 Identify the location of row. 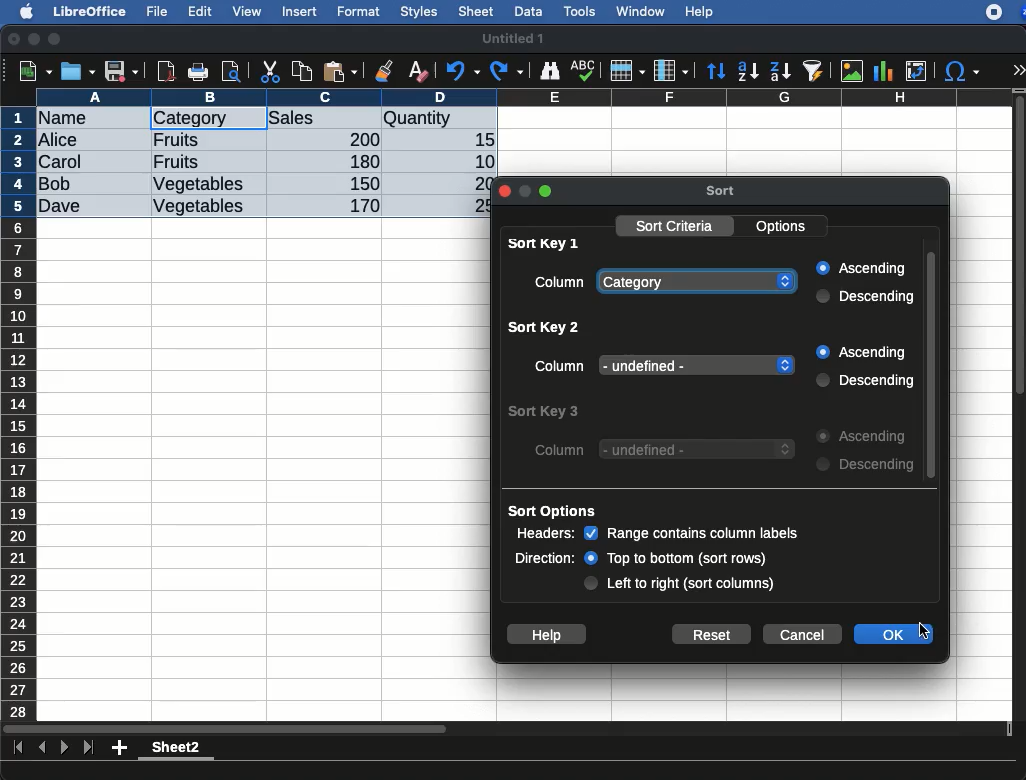
(626, 71).